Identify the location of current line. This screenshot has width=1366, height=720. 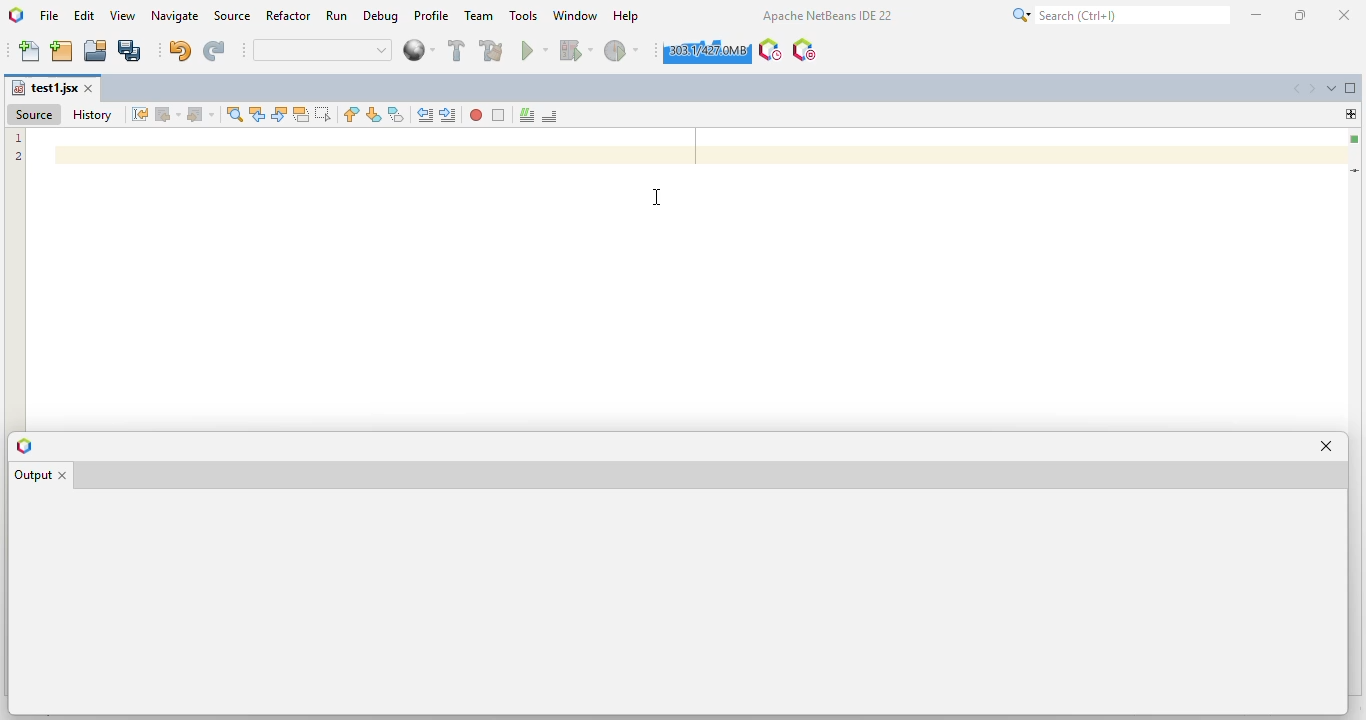
(1356, 170).